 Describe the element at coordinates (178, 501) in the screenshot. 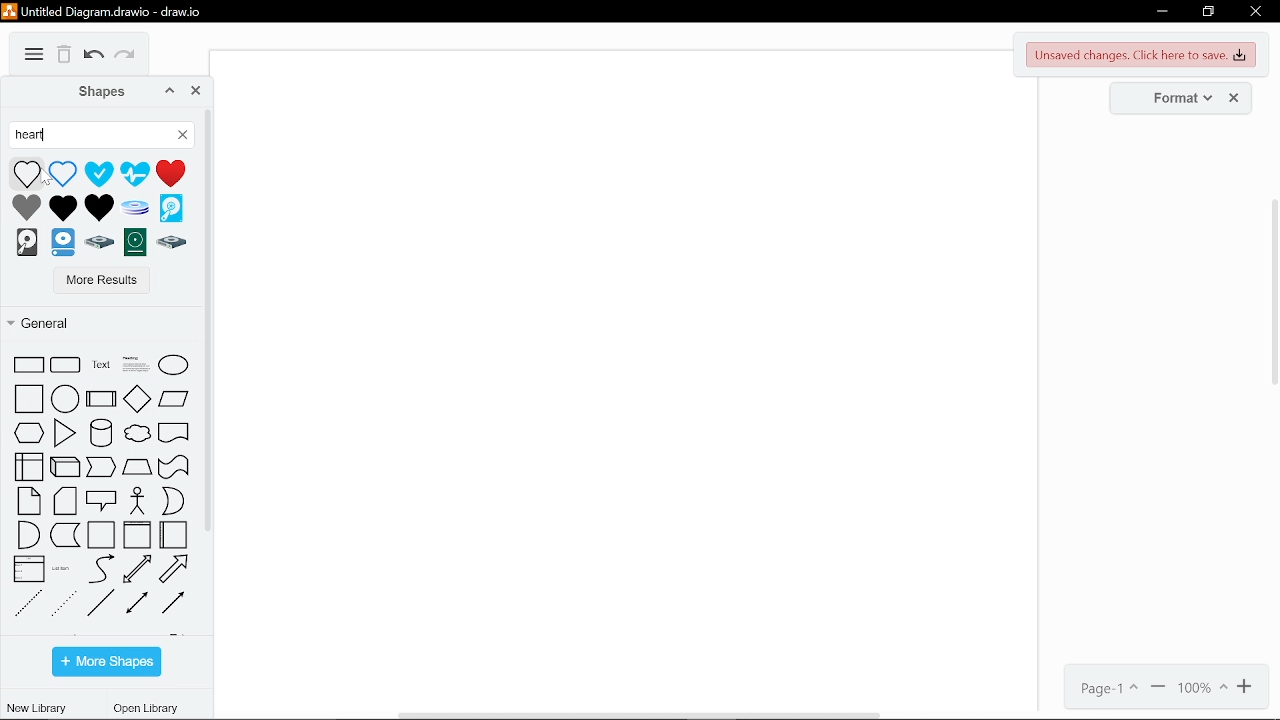

I see `or` at that location.